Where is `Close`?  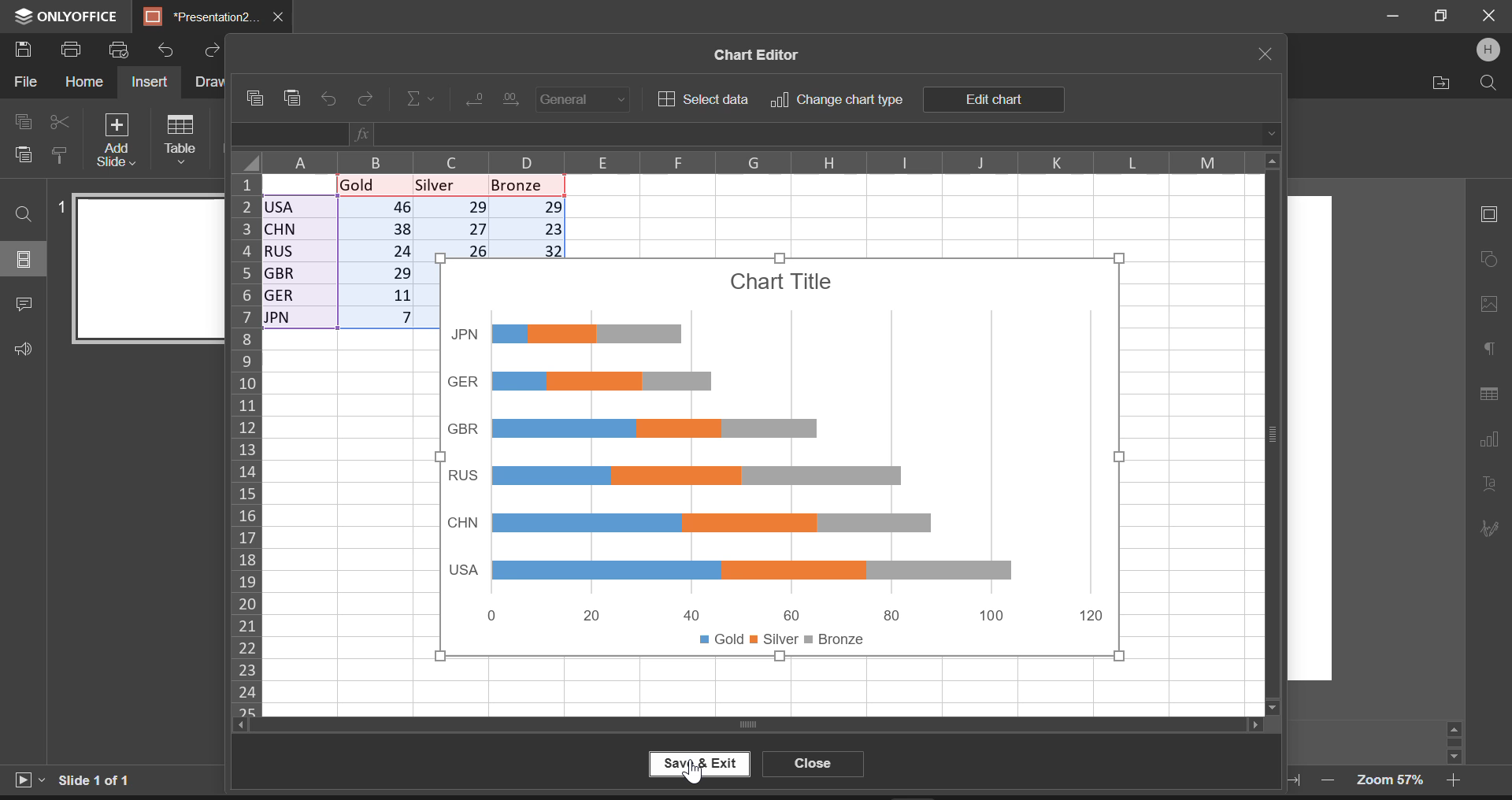
Close is located at coordinates (808, 764).